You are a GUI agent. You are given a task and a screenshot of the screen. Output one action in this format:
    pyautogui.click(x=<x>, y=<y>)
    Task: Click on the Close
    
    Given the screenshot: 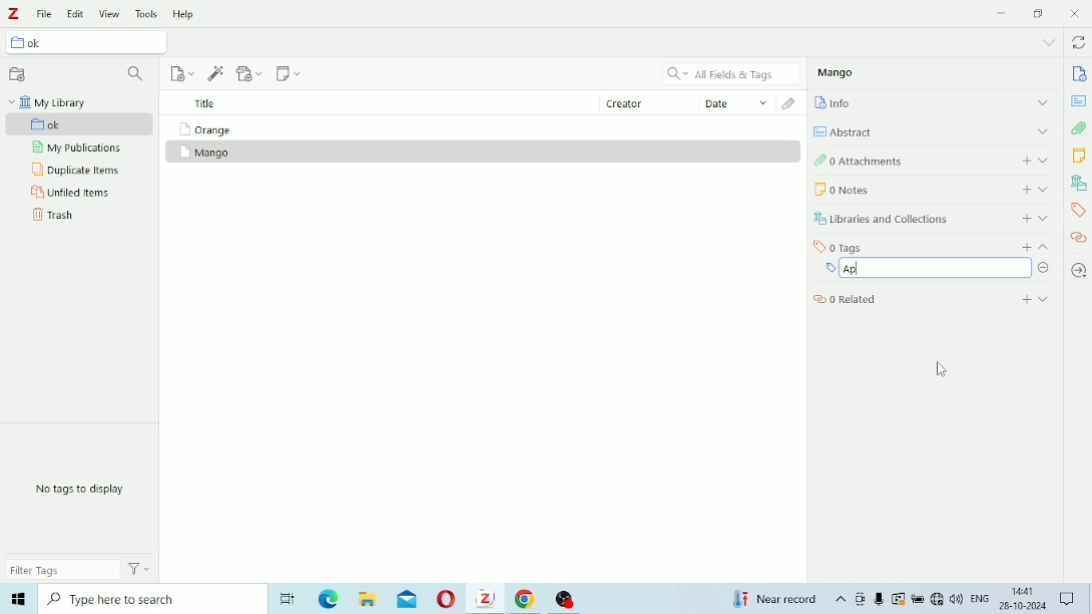 What is the action you would take?
    pyautogui.click(x=1076, y=13)
    